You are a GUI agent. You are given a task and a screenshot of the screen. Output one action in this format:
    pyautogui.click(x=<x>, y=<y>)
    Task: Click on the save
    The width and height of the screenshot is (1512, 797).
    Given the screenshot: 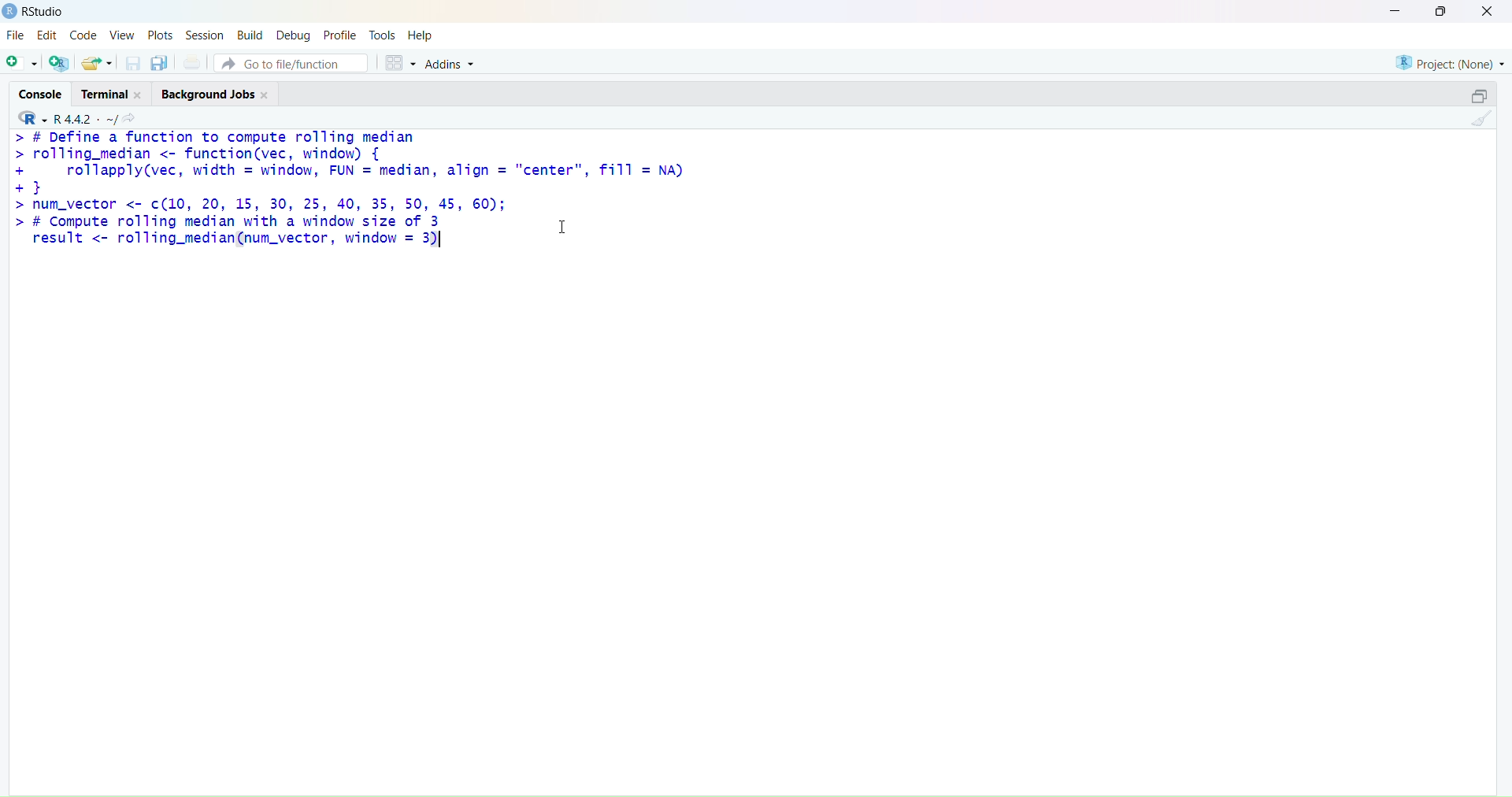 What is the action you would take?
    pyautogui.click(x=135, y=63)
    